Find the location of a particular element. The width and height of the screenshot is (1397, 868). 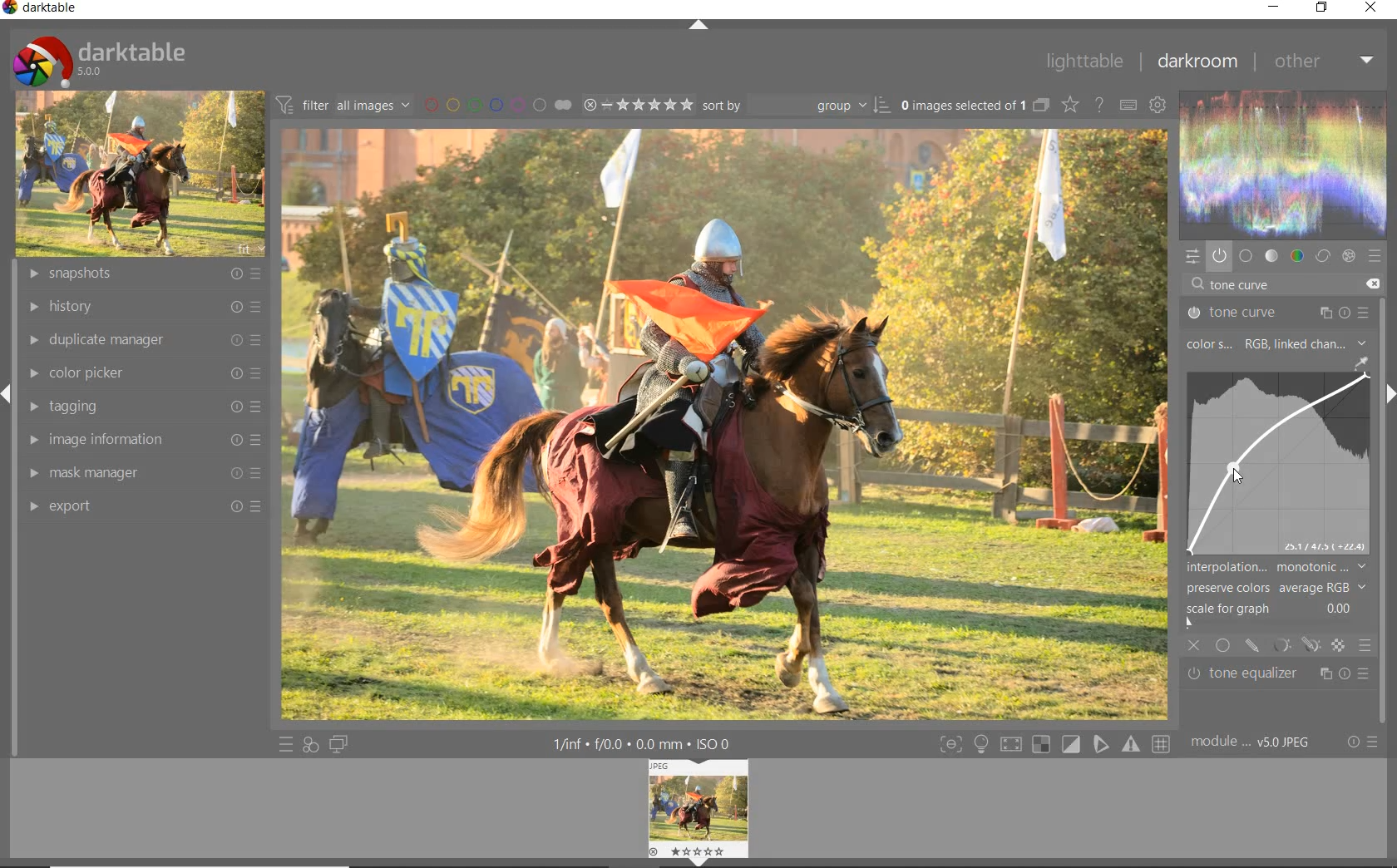

quick access panel is located at coordinates (1190, 256).